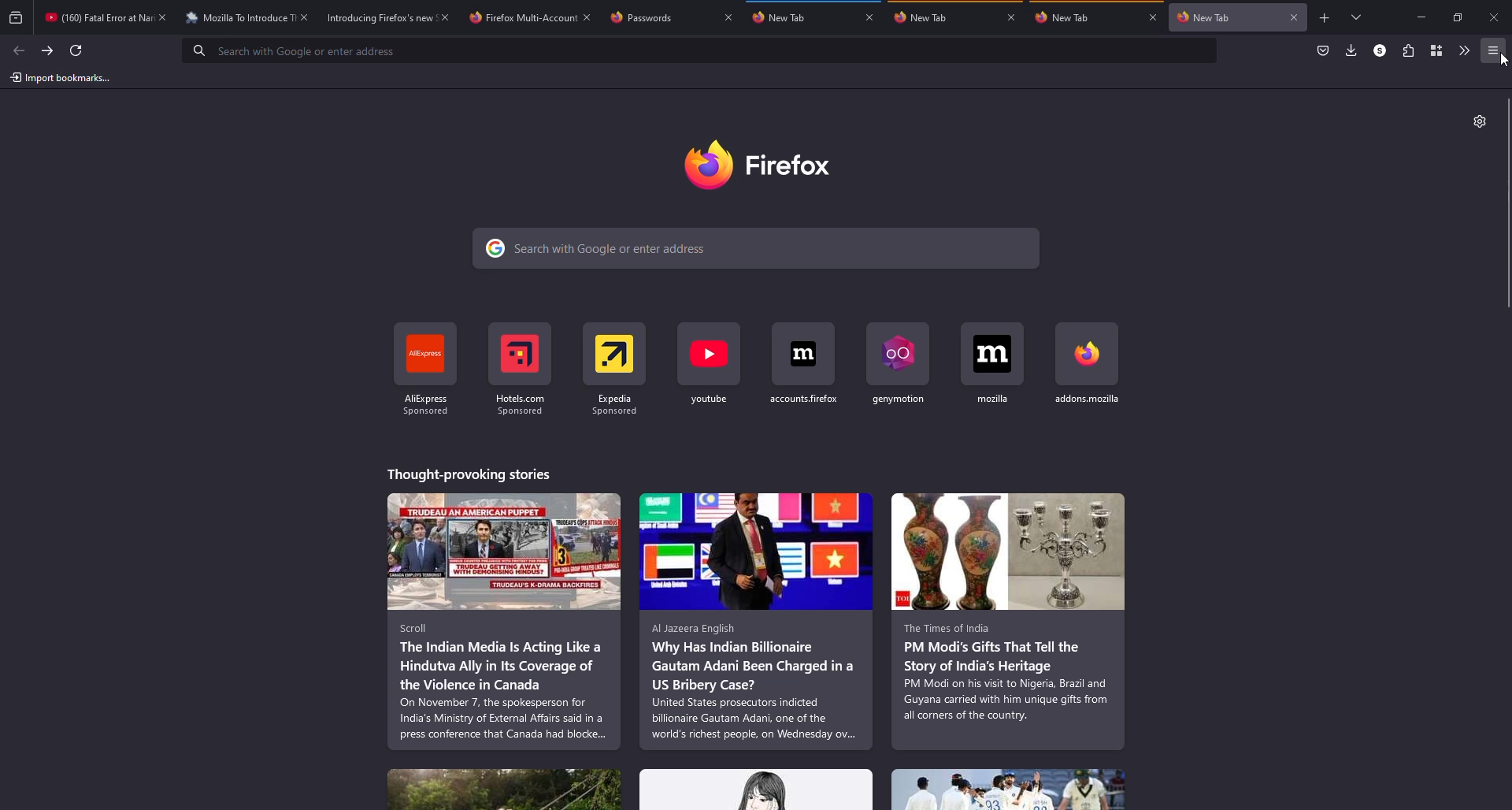  I want to click on cursor, so click(1504, 60).